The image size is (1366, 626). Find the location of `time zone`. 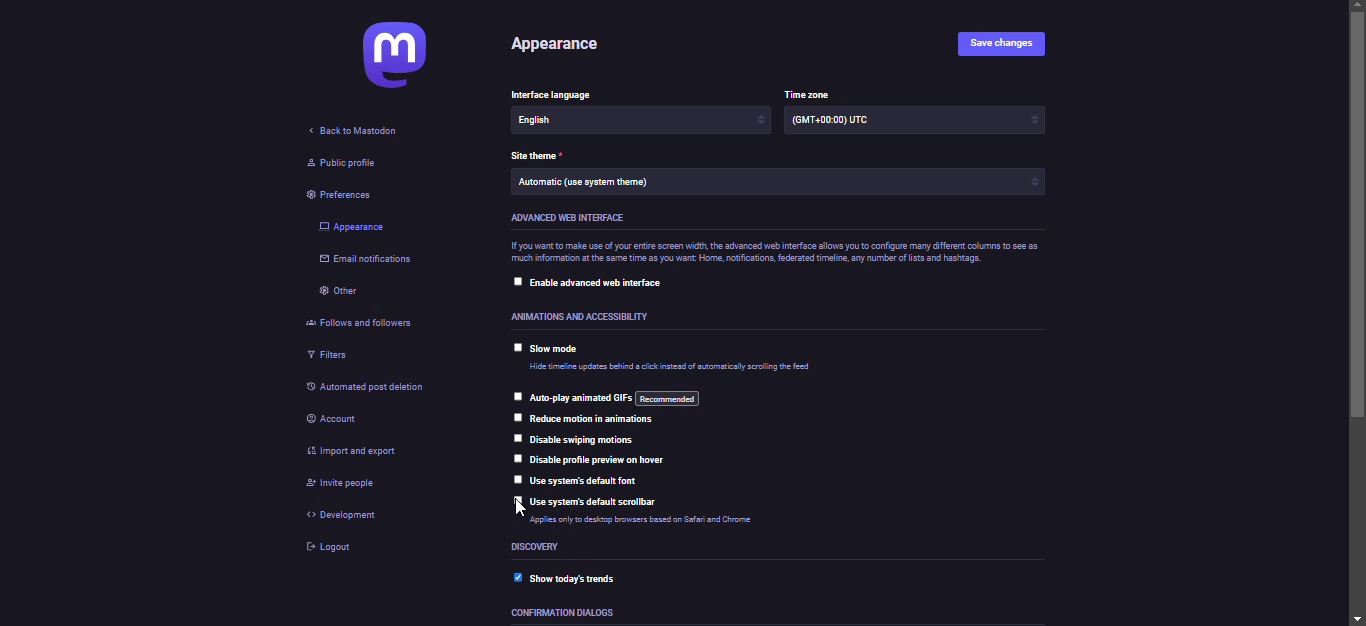

time zone is located at coordinates (838, 122).